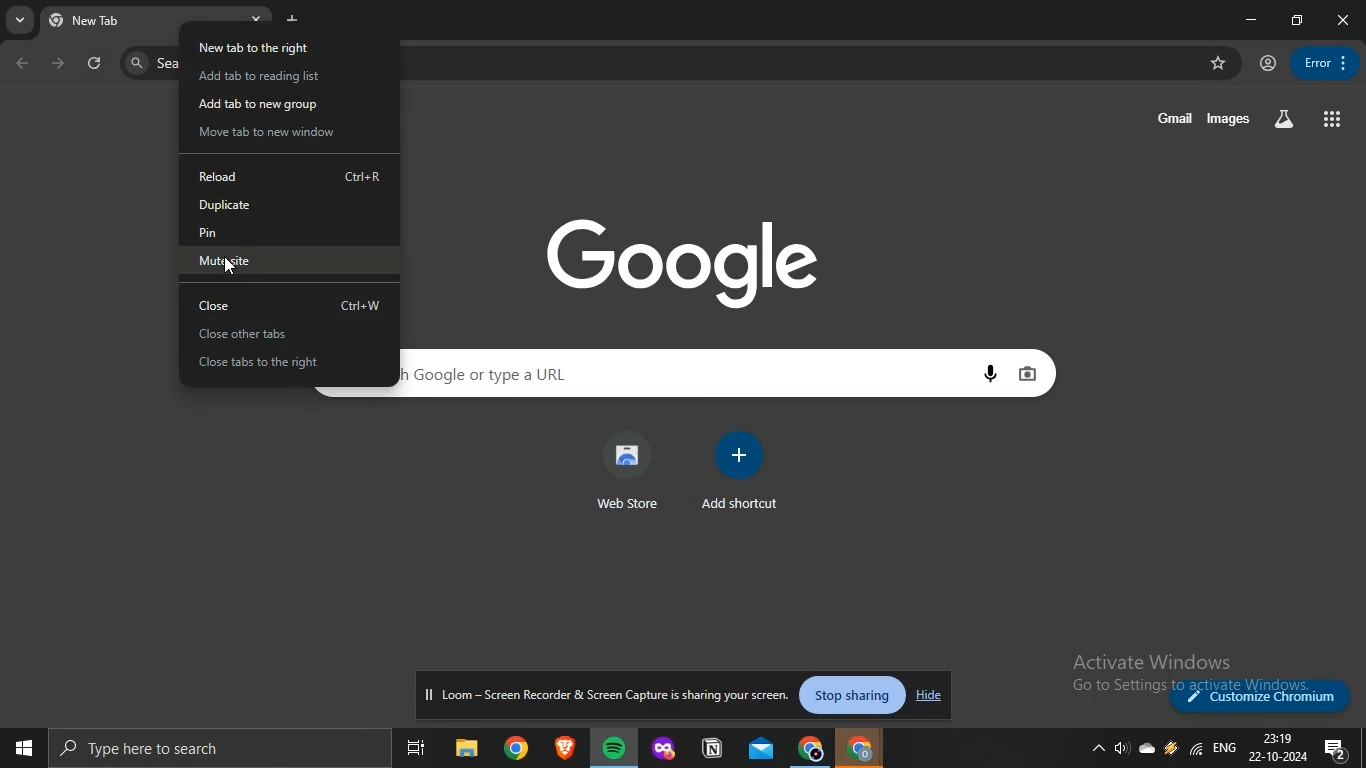 This screenshot has width=1366, height=768. What do you see at coordinates (271, 104) in the screenshot?
I see `add tab to new group` at bounding box center [271, 104].